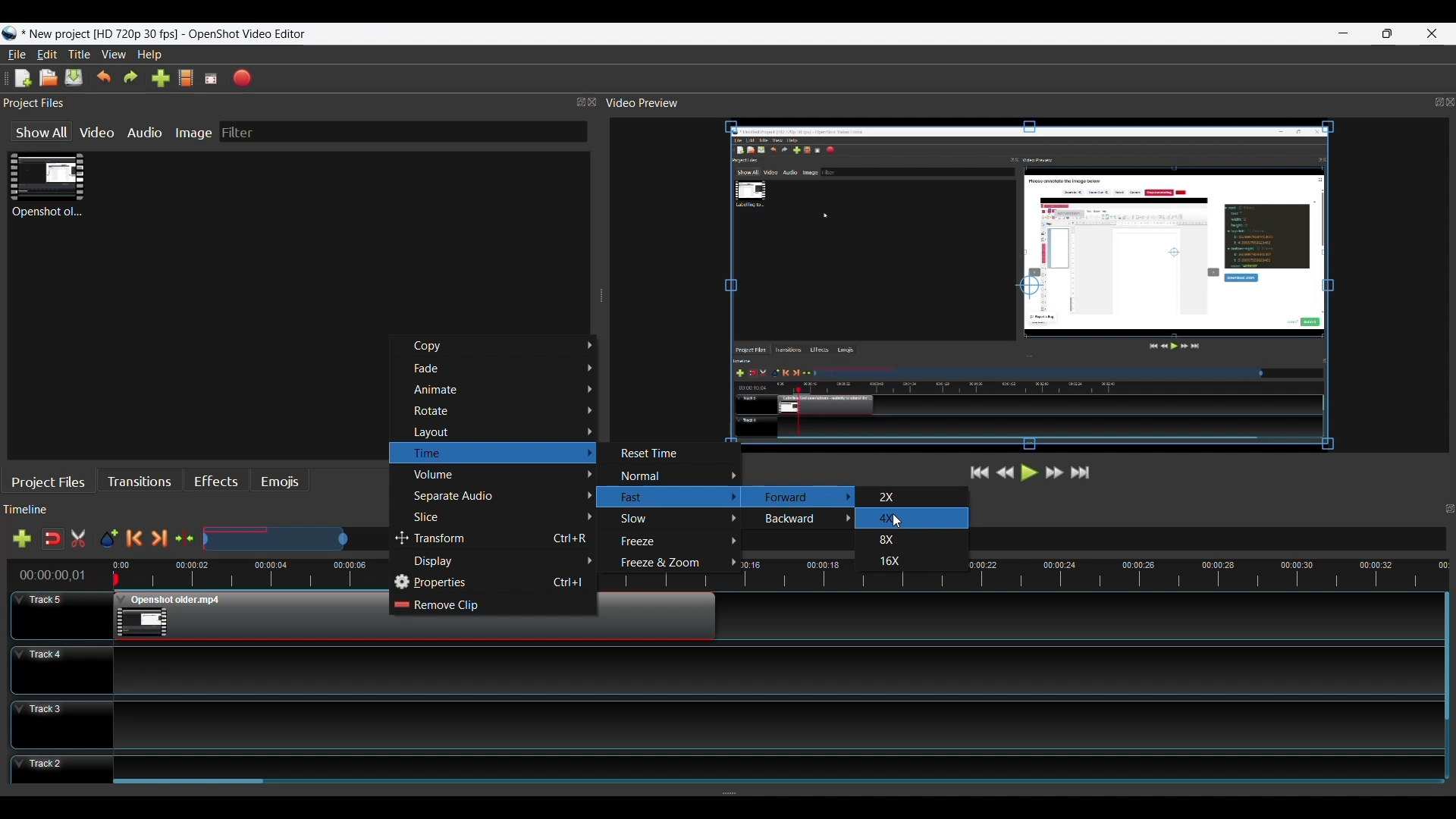  I want to click on Audio, so click(143, 134).